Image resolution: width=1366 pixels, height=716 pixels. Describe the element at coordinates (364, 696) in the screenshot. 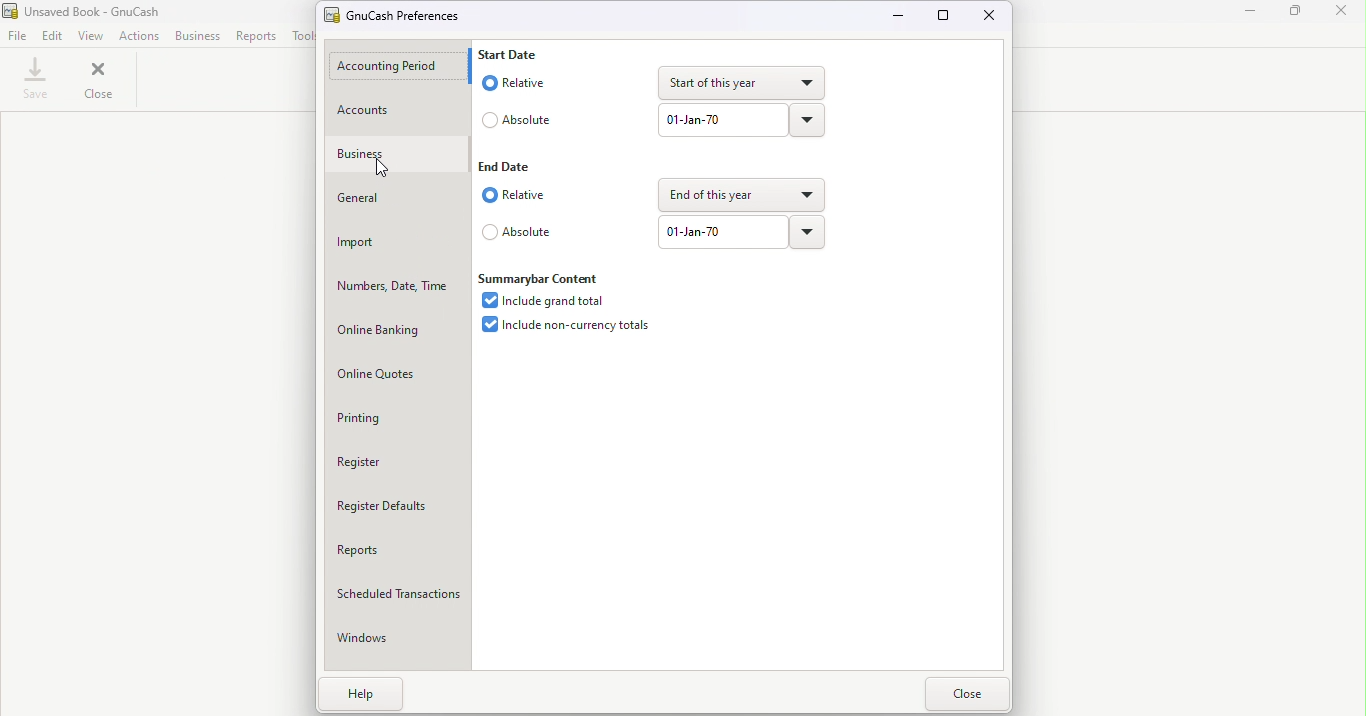

I see `Help` at that location.